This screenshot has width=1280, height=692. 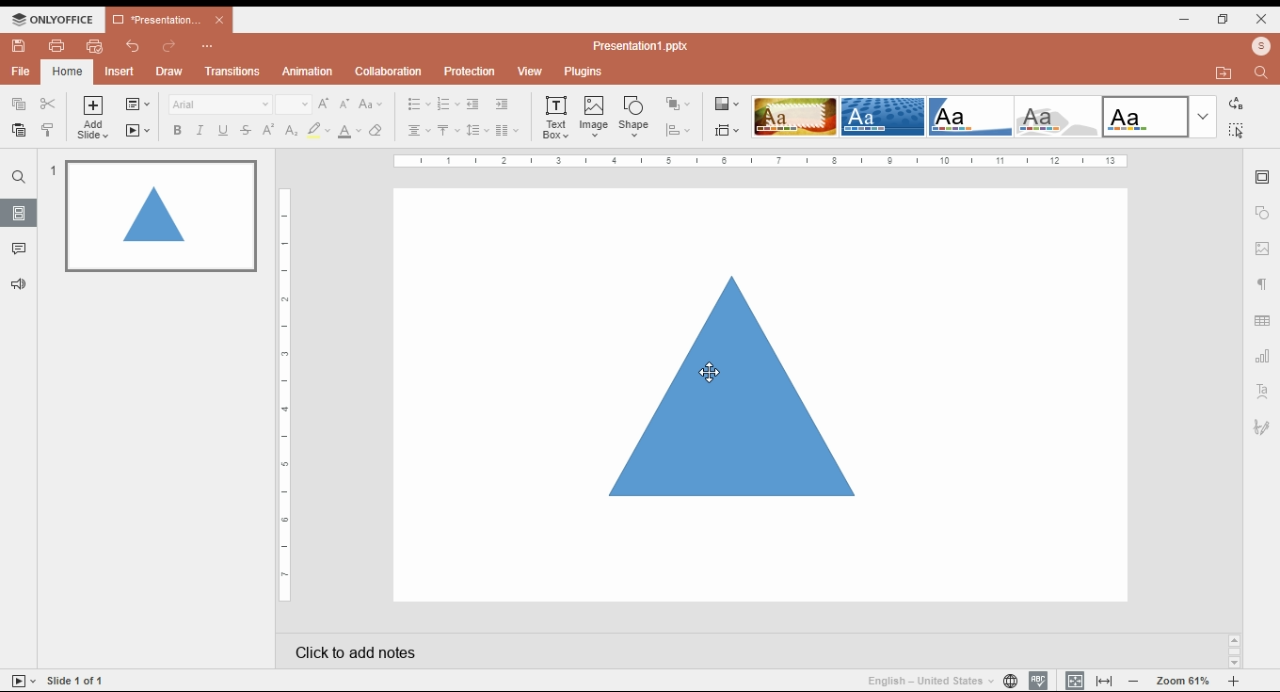 I want to click on color theme 4, so click(x=1060, y=116).